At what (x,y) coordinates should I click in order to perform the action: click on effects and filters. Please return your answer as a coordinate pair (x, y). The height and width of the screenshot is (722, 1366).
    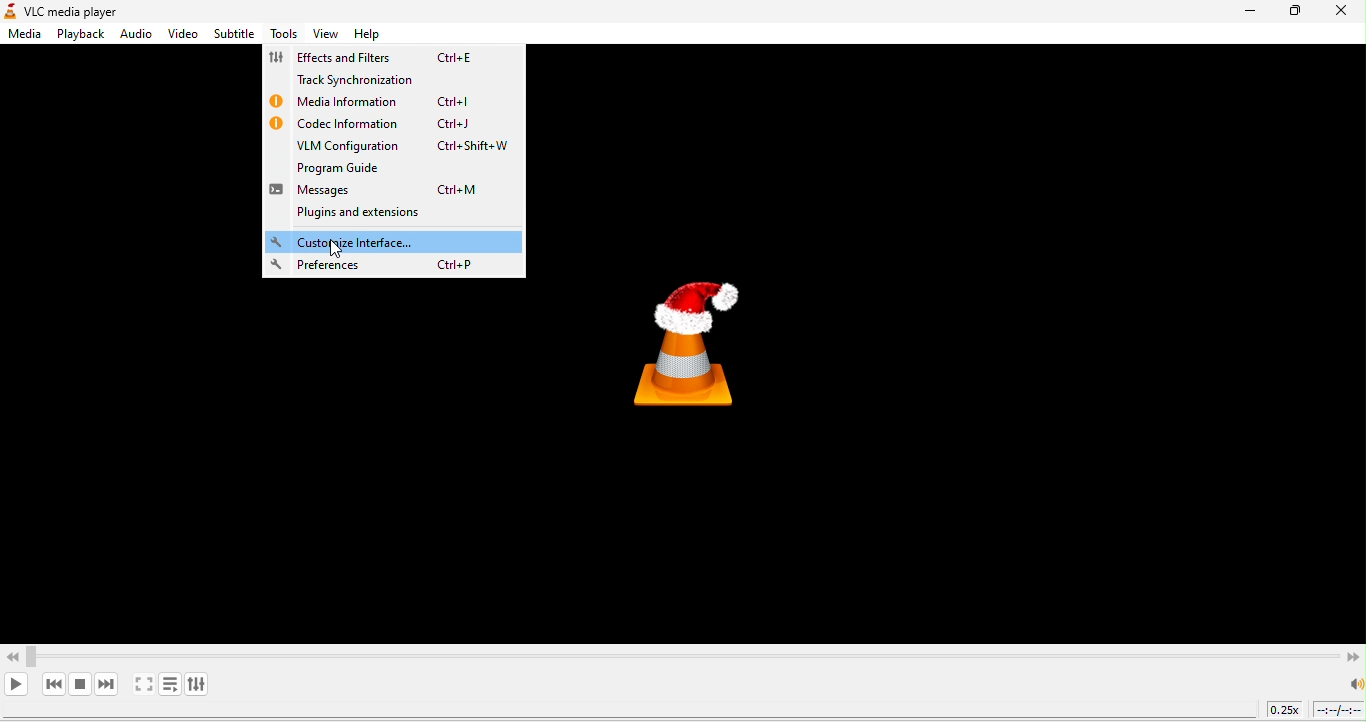
    Looking at the image, I should click on (380, 59).